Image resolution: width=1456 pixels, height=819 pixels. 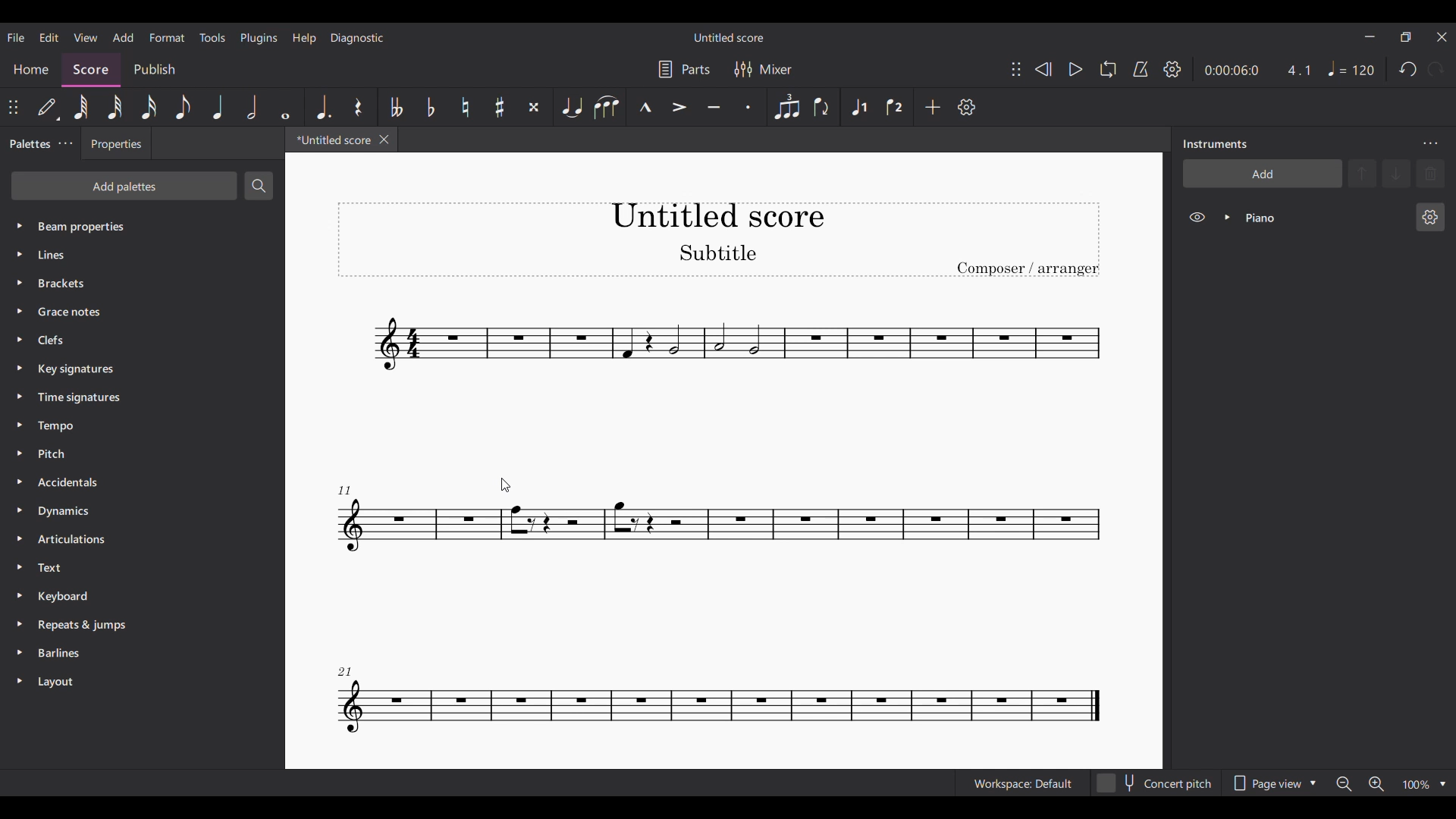 I want to click on Toggle flat, so click(x=431, y=107).